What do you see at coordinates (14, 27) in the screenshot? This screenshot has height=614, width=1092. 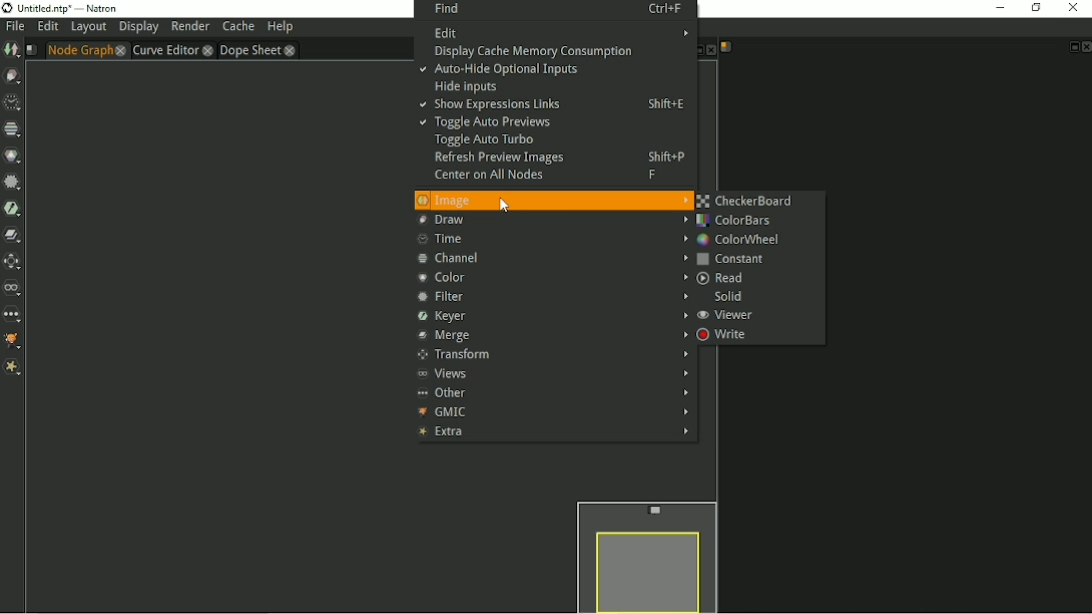 I see `File` at bounding box center [14, 27].